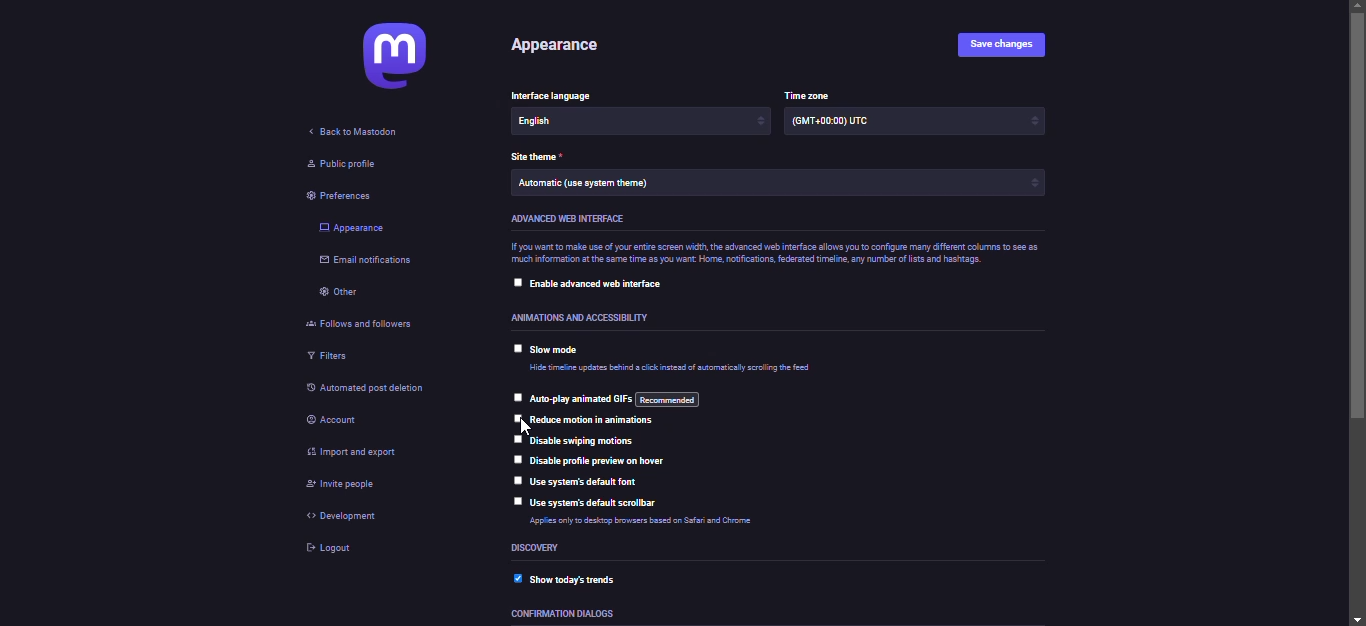 The height and width of the screenshot is (626, 1366). Describe the element at coordinates (348, 196) in the screenshot. I see `preferences` at that location.